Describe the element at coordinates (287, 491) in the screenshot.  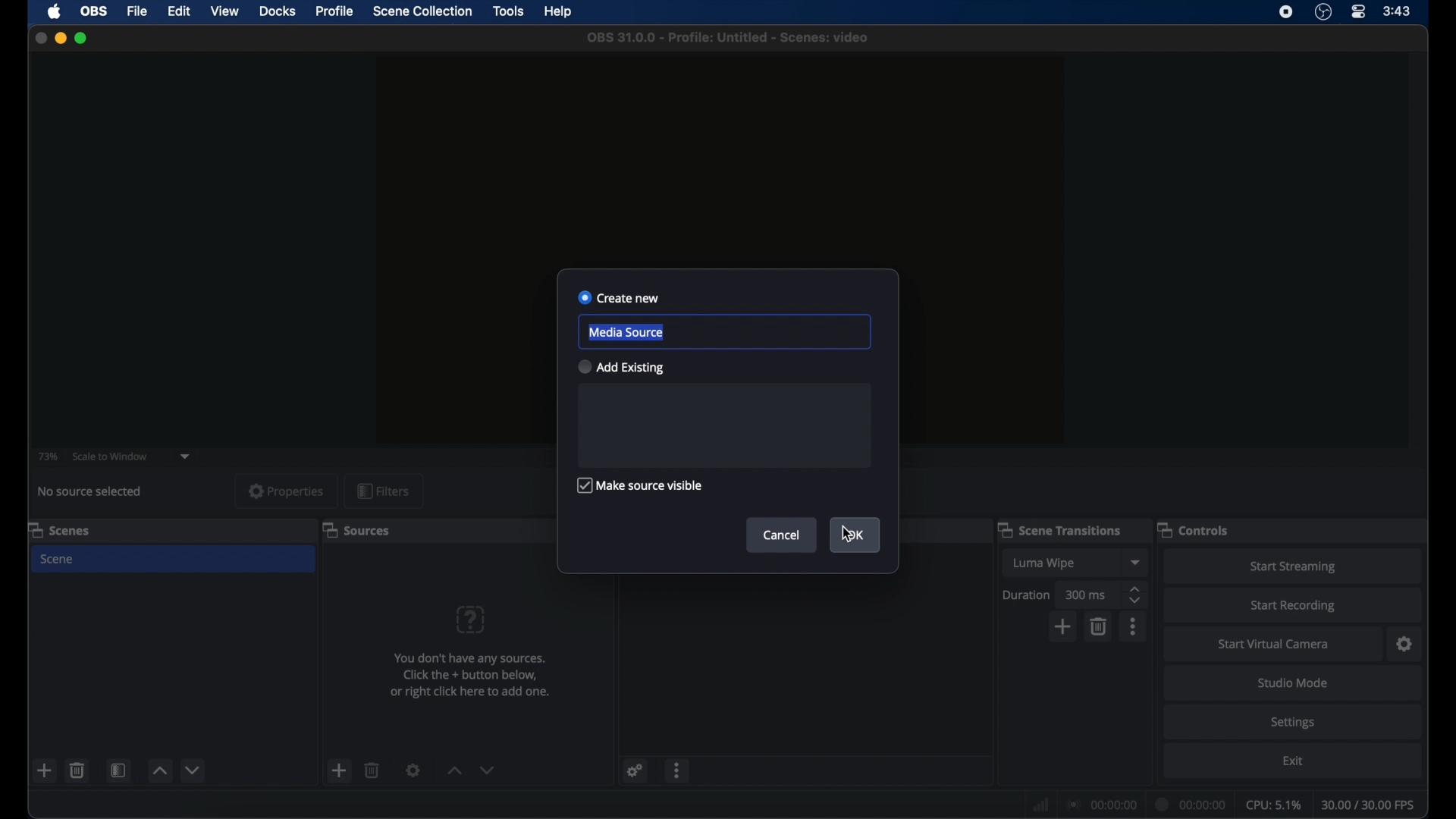
I see `properties` at that location.